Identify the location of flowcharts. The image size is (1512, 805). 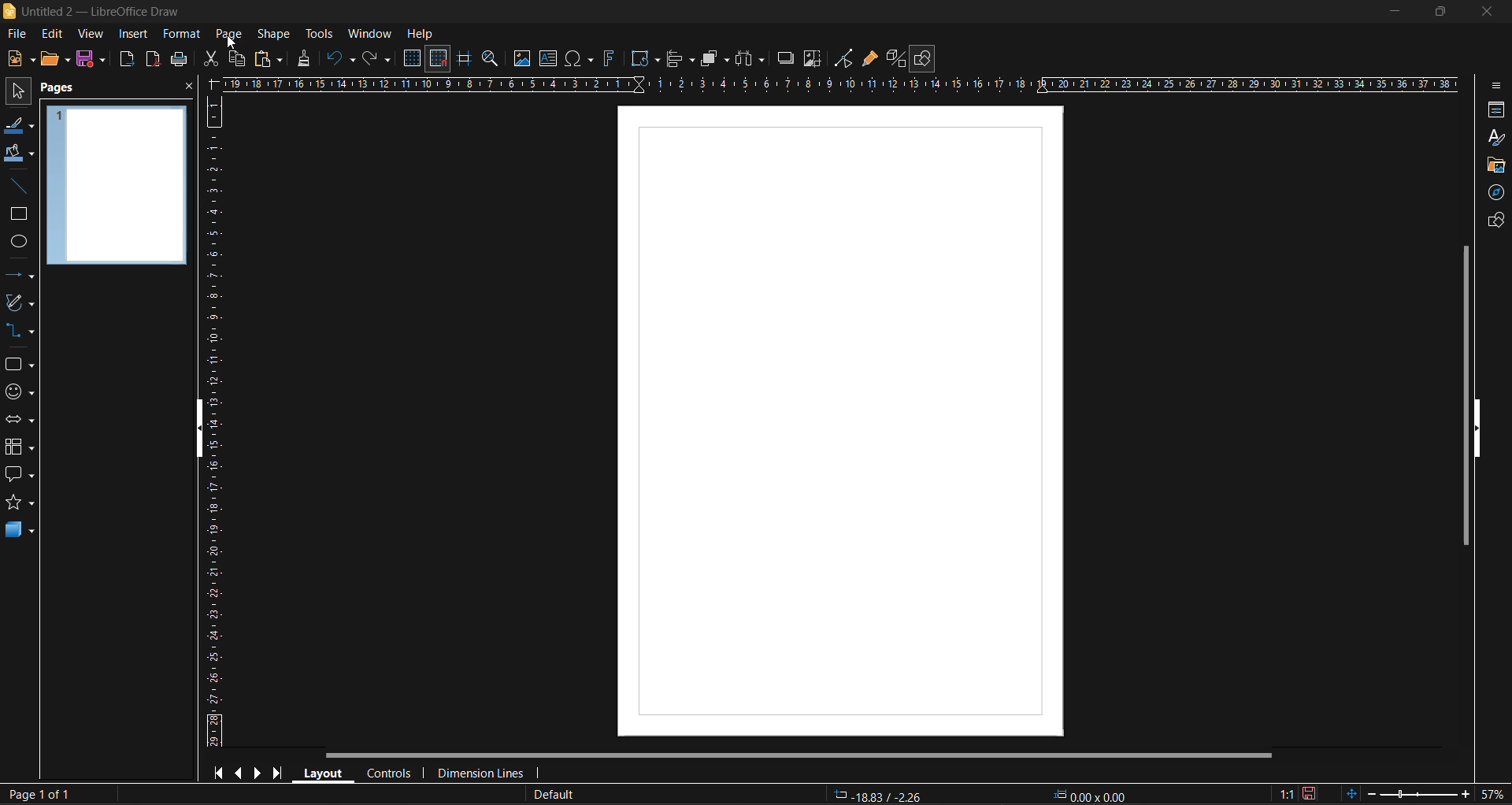
(24, 447).